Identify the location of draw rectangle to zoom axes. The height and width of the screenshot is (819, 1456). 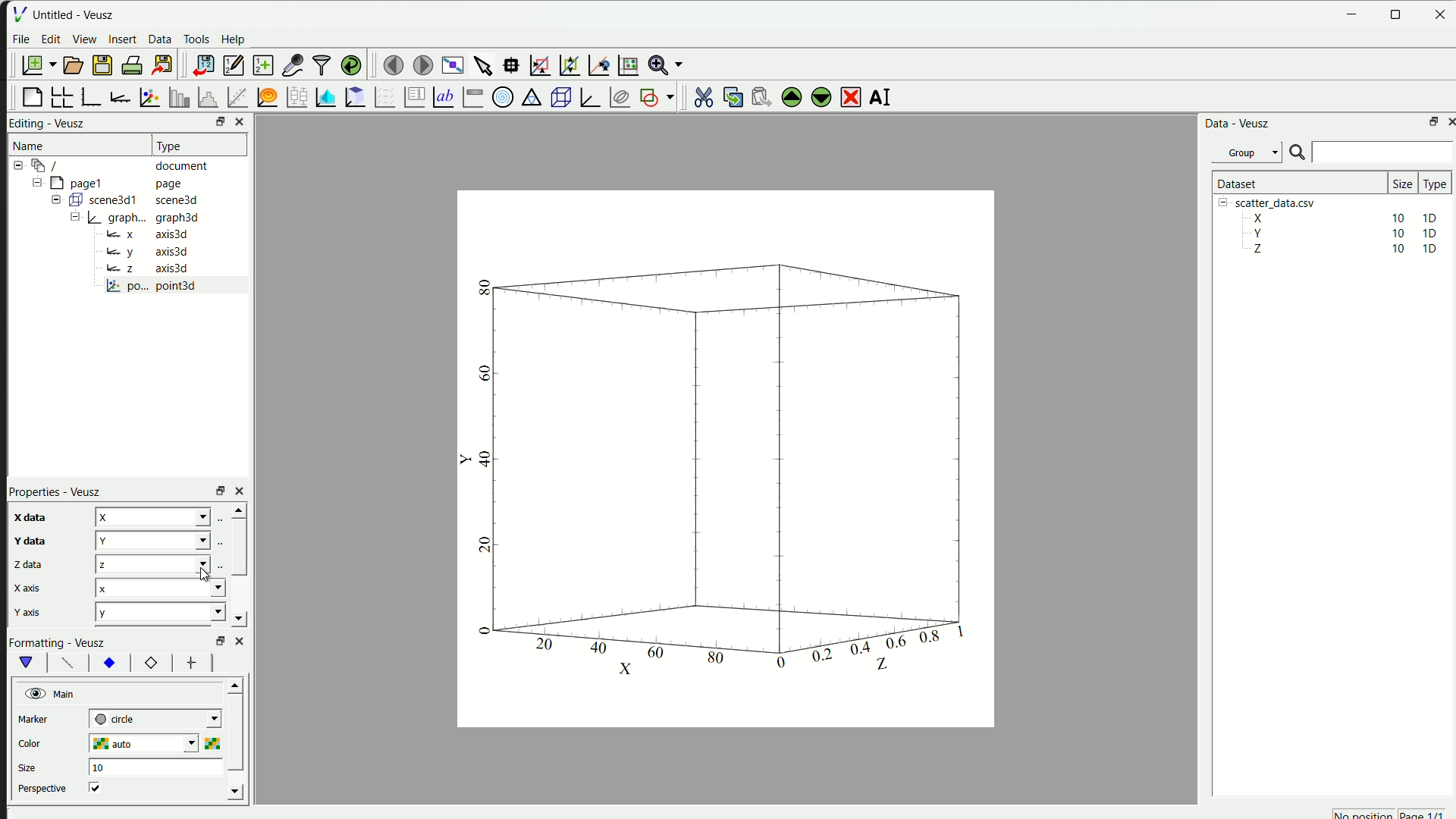
(540, 63).